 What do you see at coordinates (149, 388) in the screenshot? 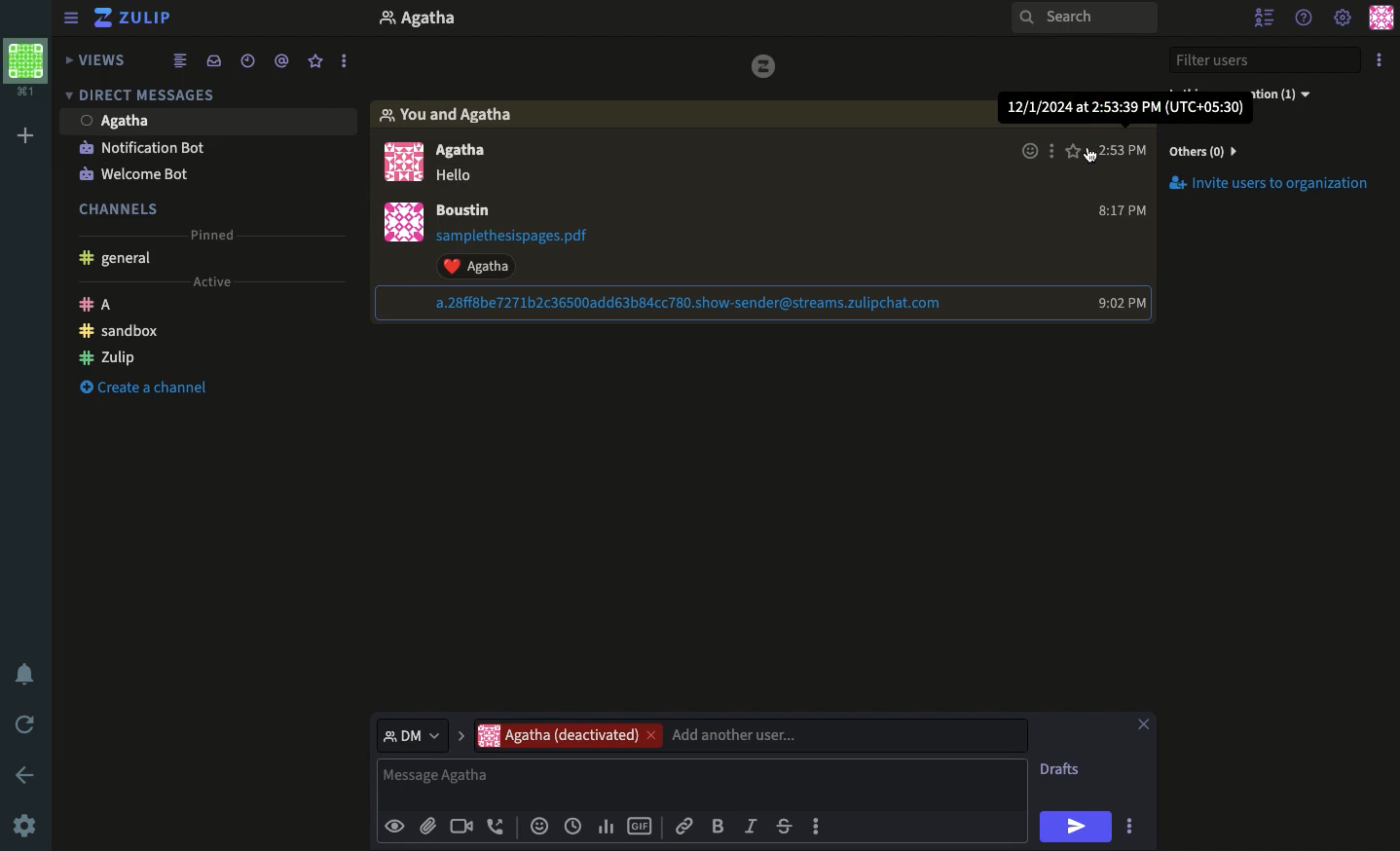
I see `Create a channel` at bounding box center [149, 388].